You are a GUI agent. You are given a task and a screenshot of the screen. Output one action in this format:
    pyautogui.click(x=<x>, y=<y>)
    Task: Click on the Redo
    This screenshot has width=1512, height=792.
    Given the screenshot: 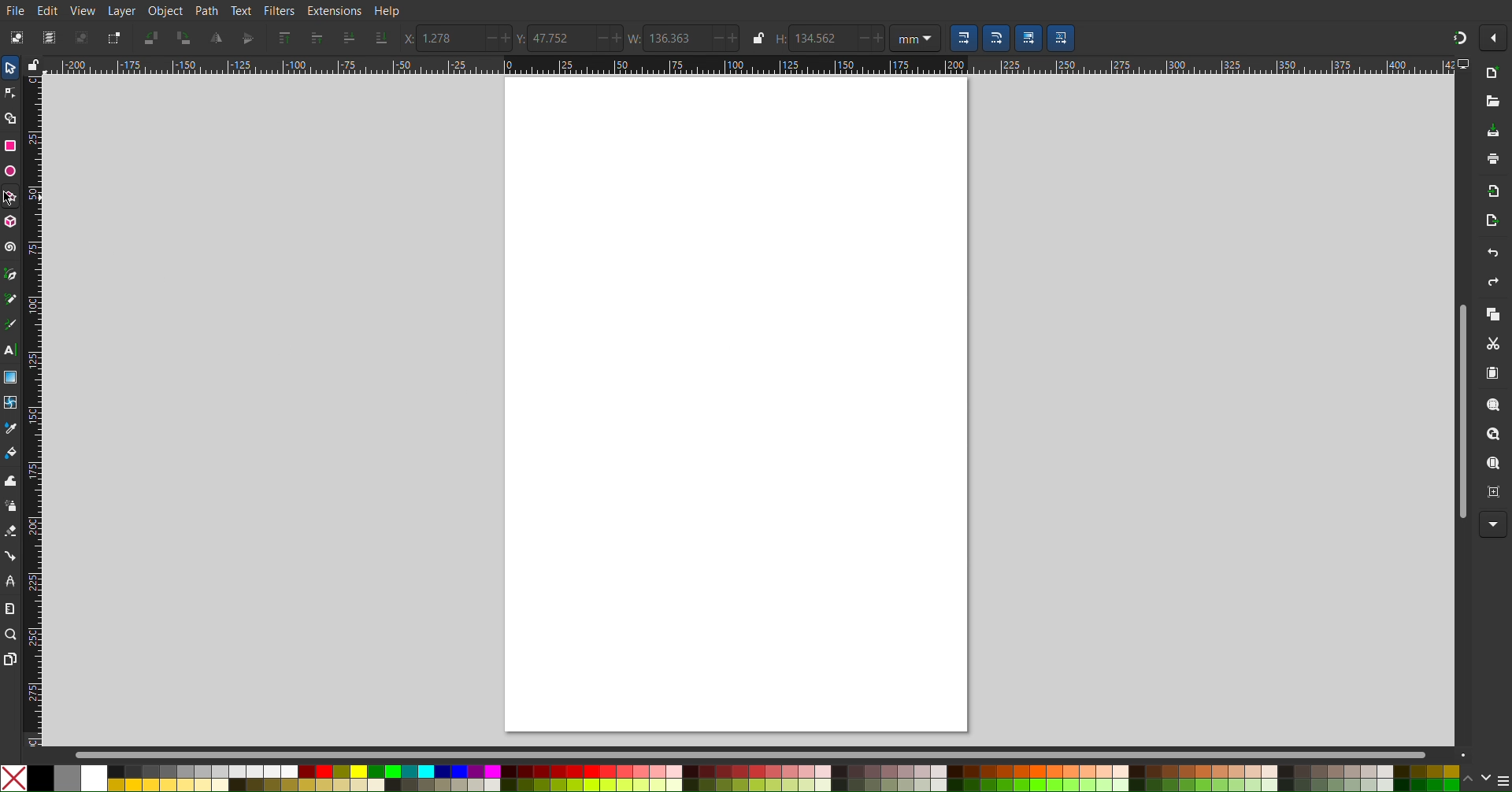 What is the action you would take?
    pyautogui.click(x=1491, y=283)
    